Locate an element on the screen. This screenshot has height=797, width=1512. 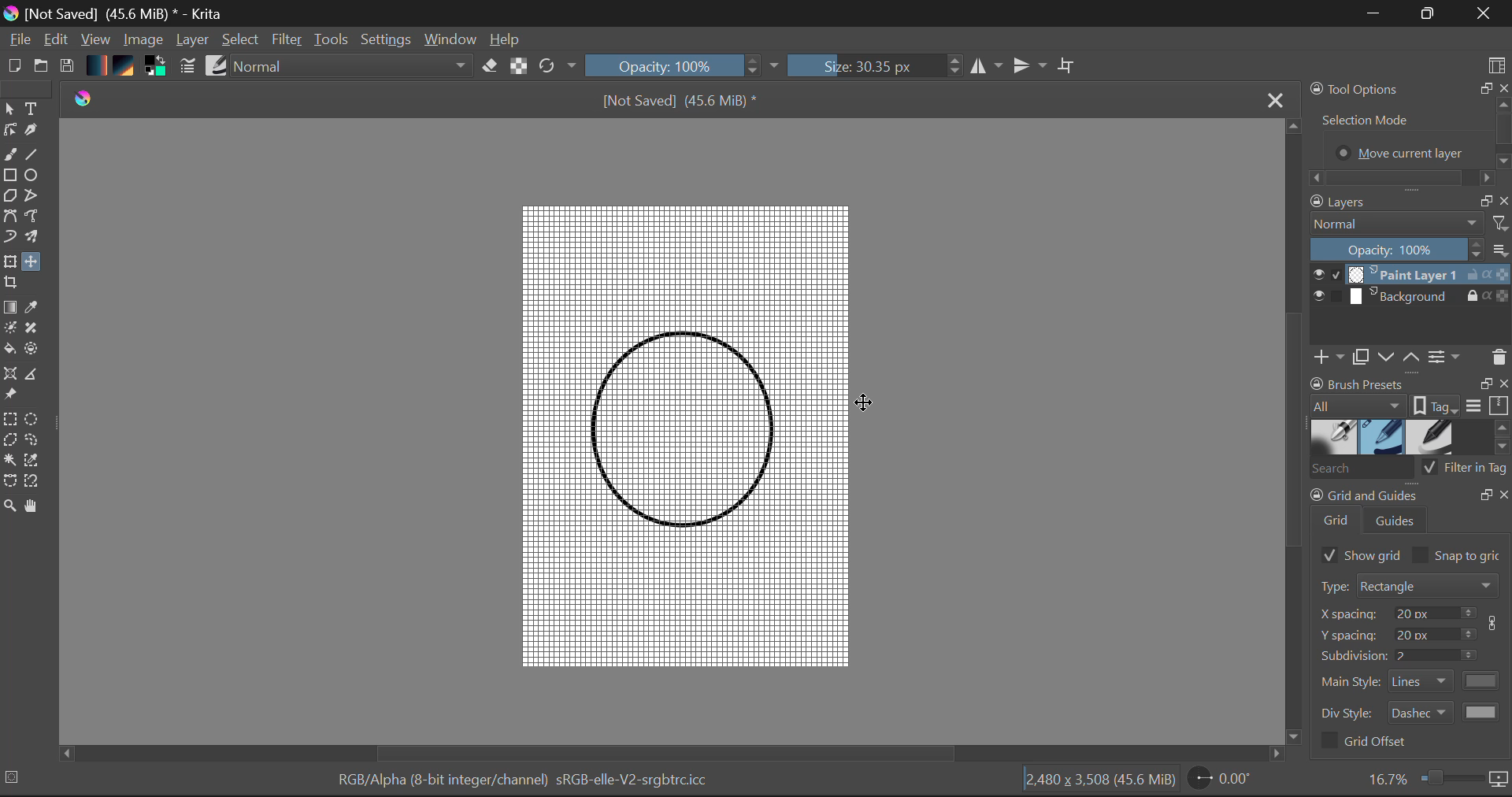
Calligraphic Tool is located at coordinates (36, 132).